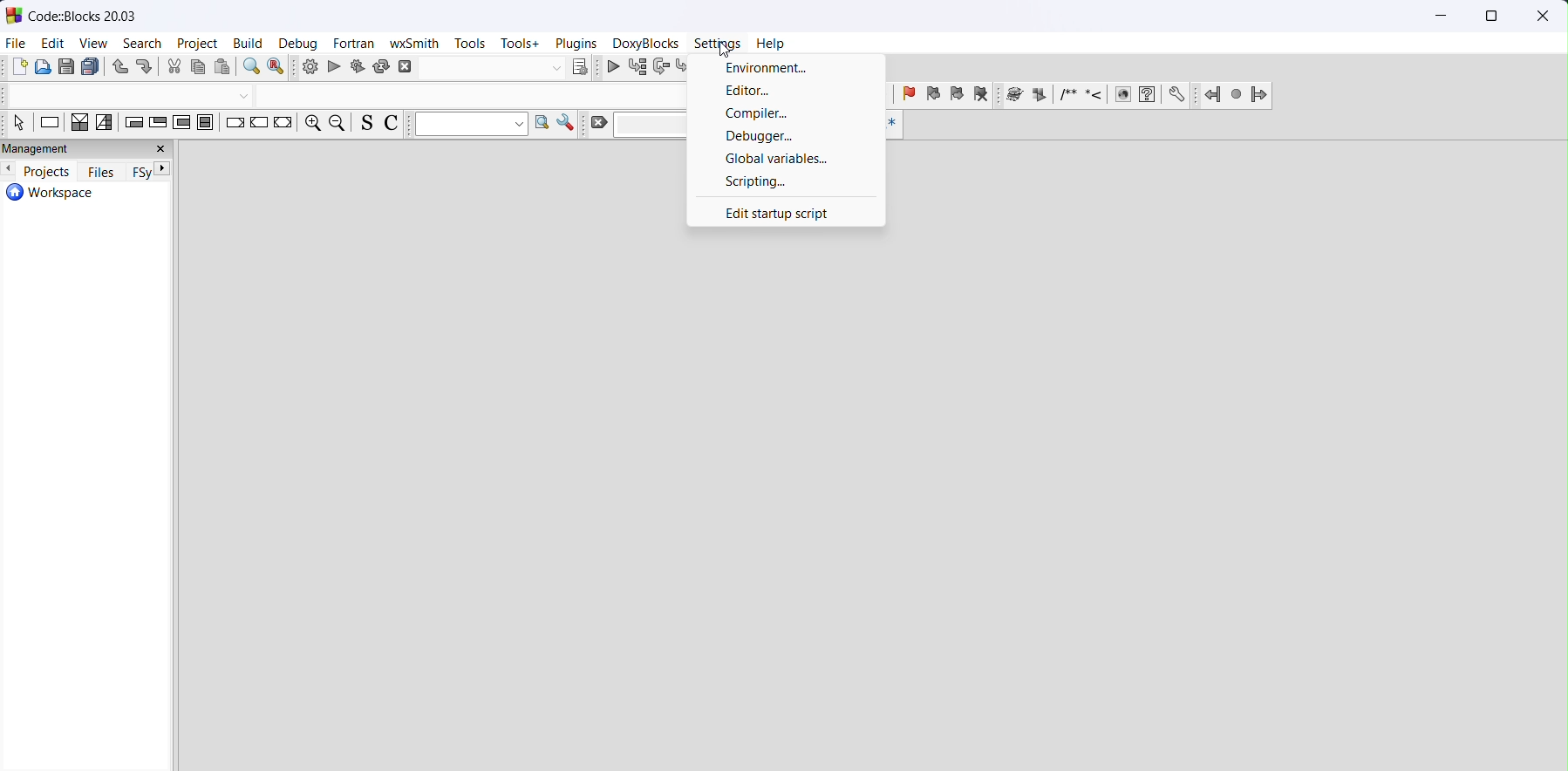 This screenshot has width=1568, height=771. What do you see at coordinates (359, 67) in the screenshot?
I see `build and run` at bounding box center [359, 67].